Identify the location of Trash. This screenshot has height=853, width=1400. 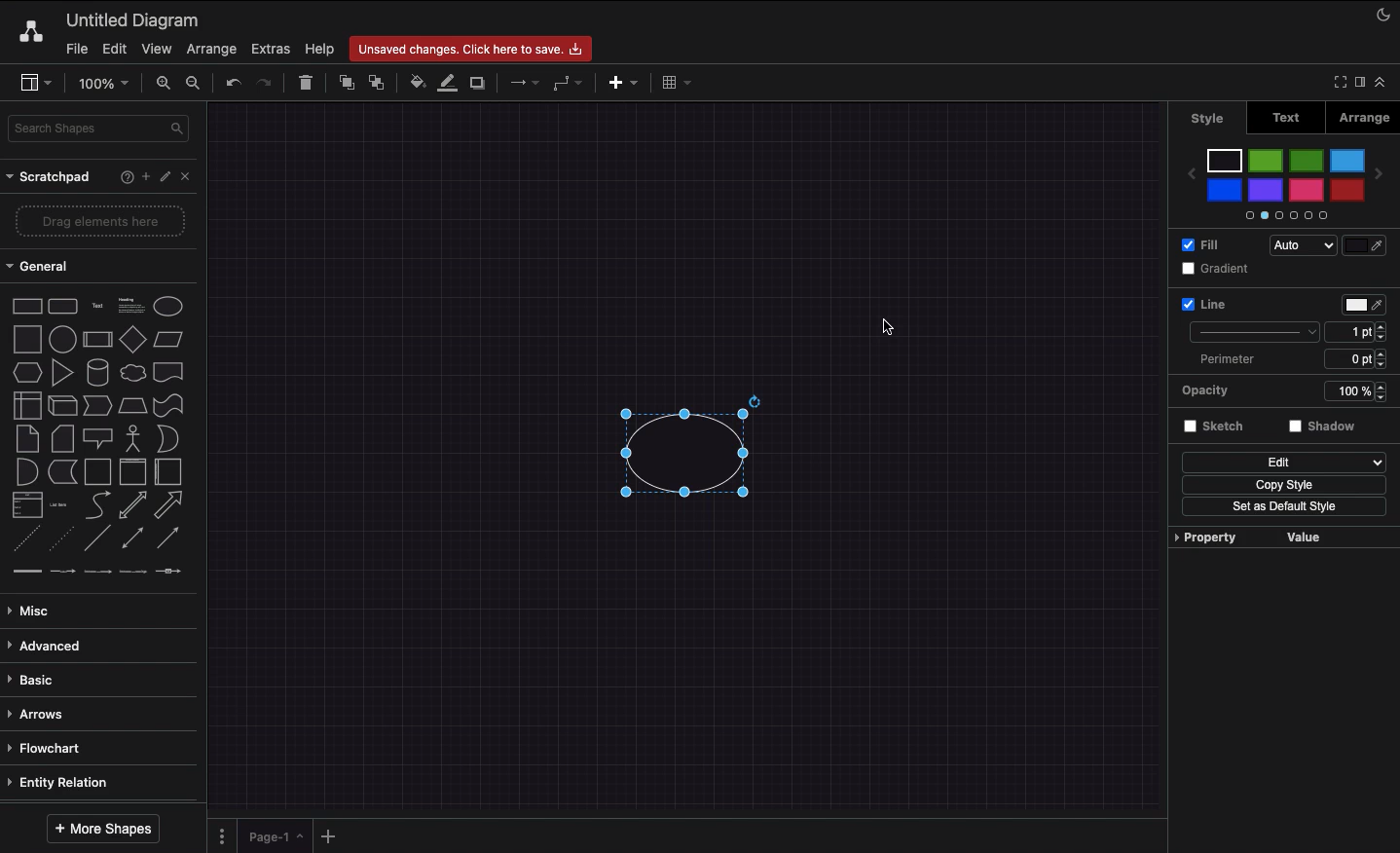
(309, 84).